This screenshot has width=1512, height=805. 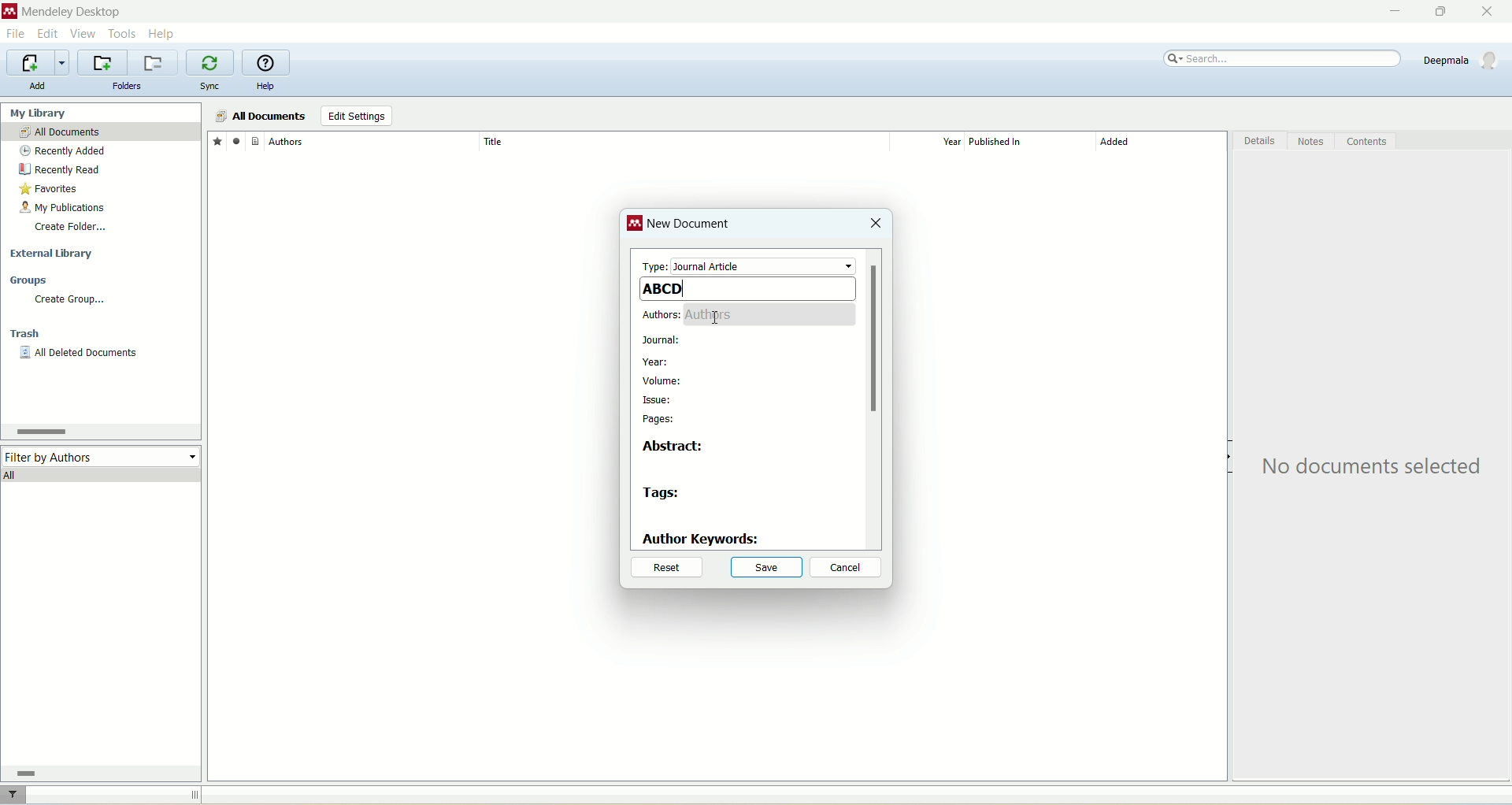 I want to click on favorites, so click(x=217, y=140).